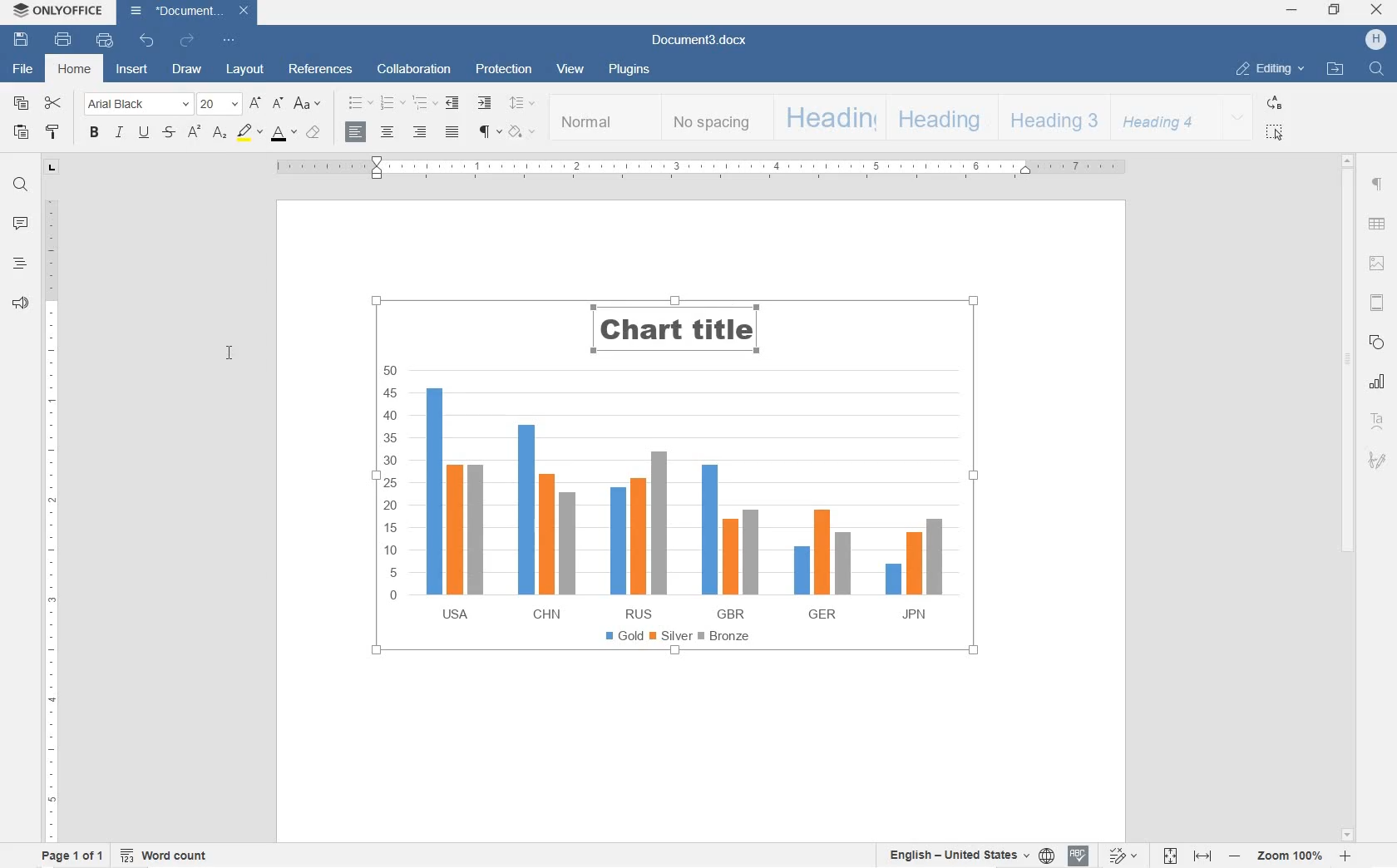 Image resolution: width=1397 pixels, height=868 pixels. Describe the element at coordinates (412, 70) in the screenshot. I see `COLLABORATION` at that location.